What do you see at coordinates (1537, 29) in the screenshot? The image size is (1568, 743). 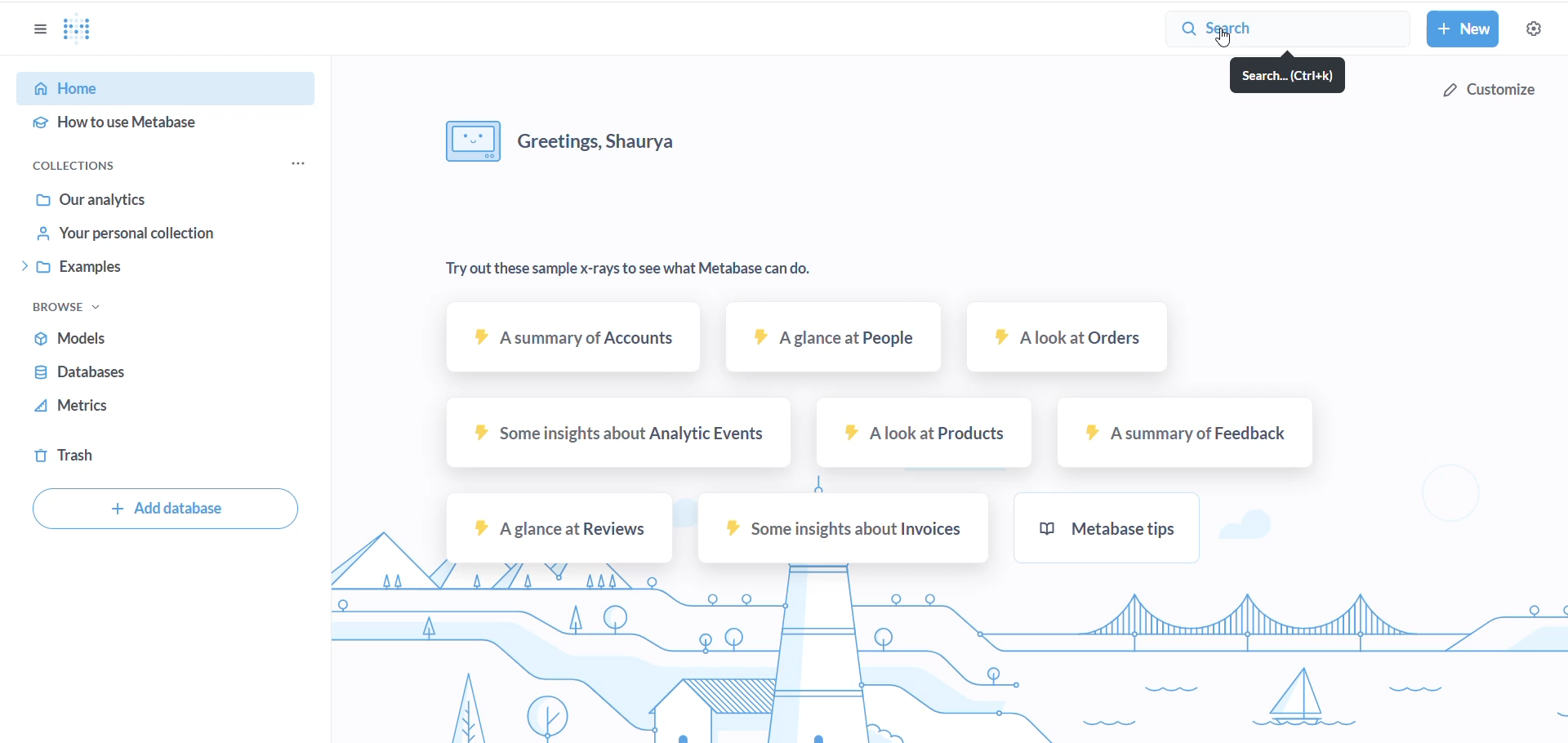 I see `settings` at bounding box center [1537, 29].